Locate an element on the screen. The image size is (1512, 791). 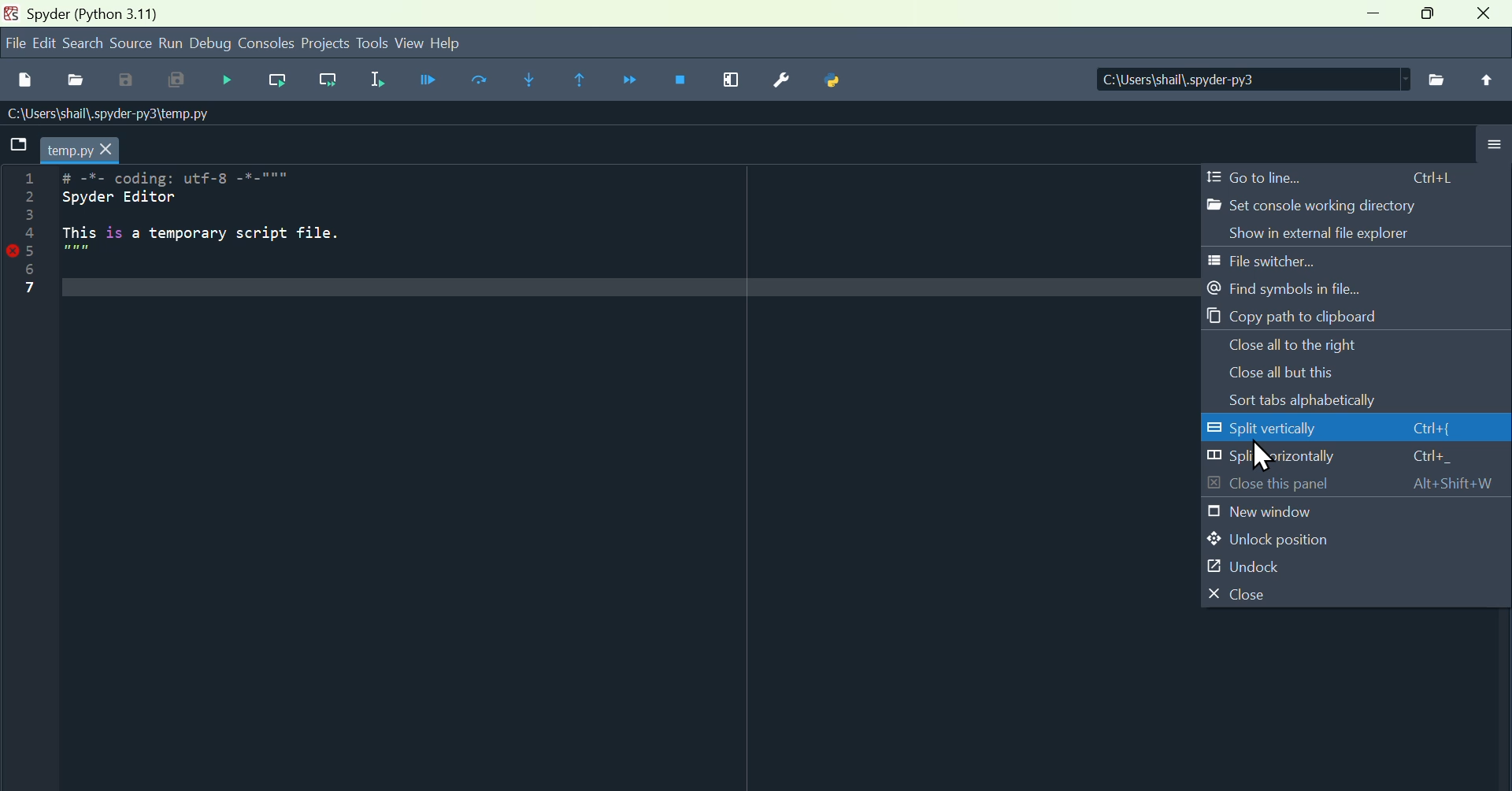
Save as is located at coordinates (133, 82).